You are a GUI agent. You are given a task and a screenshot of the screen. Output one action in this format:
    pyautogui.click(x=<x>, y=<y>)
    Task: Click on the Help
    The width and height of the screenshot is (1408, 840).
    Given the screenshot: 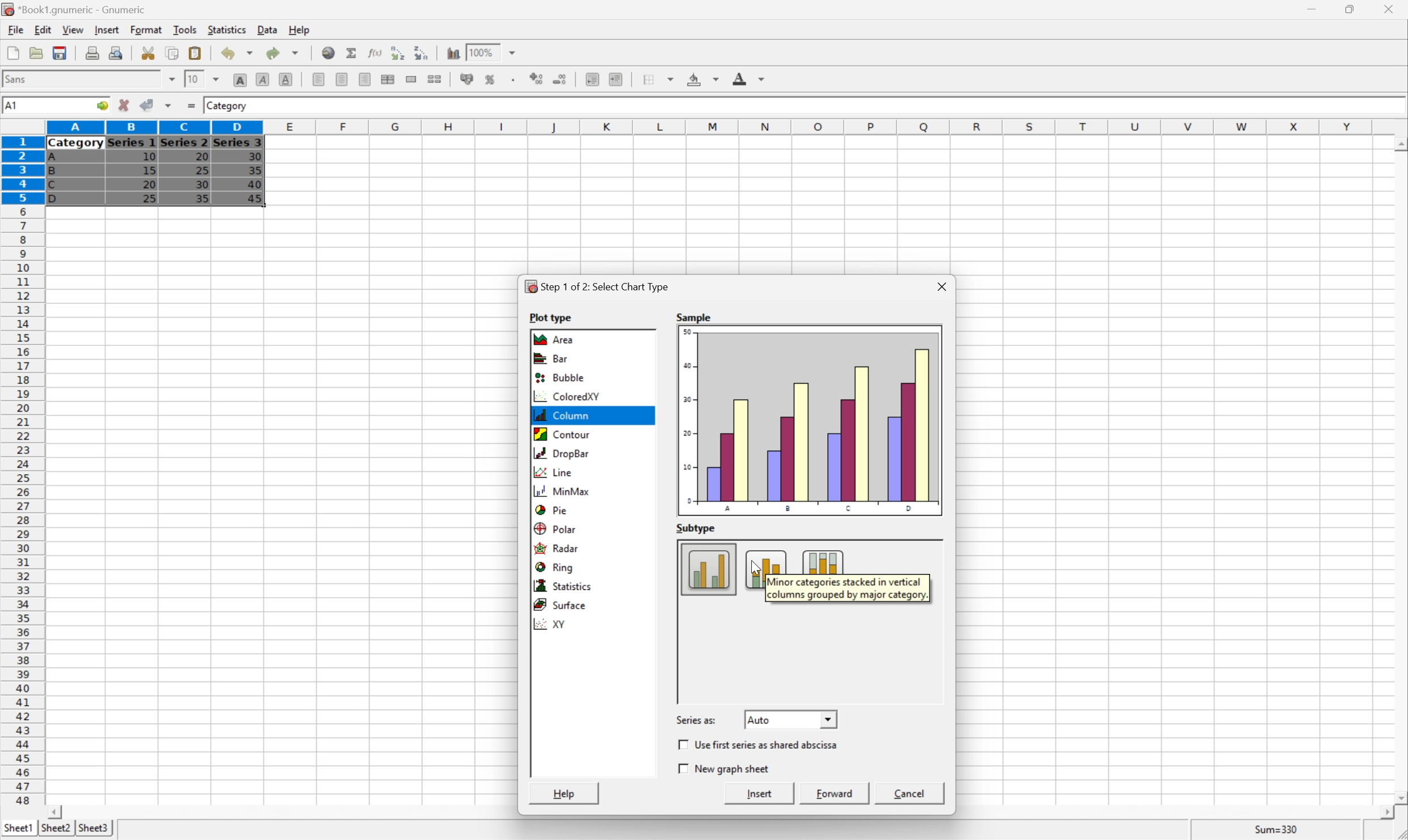 What is the action you would take?
    pyautogui.click(x=567, y=793)
    